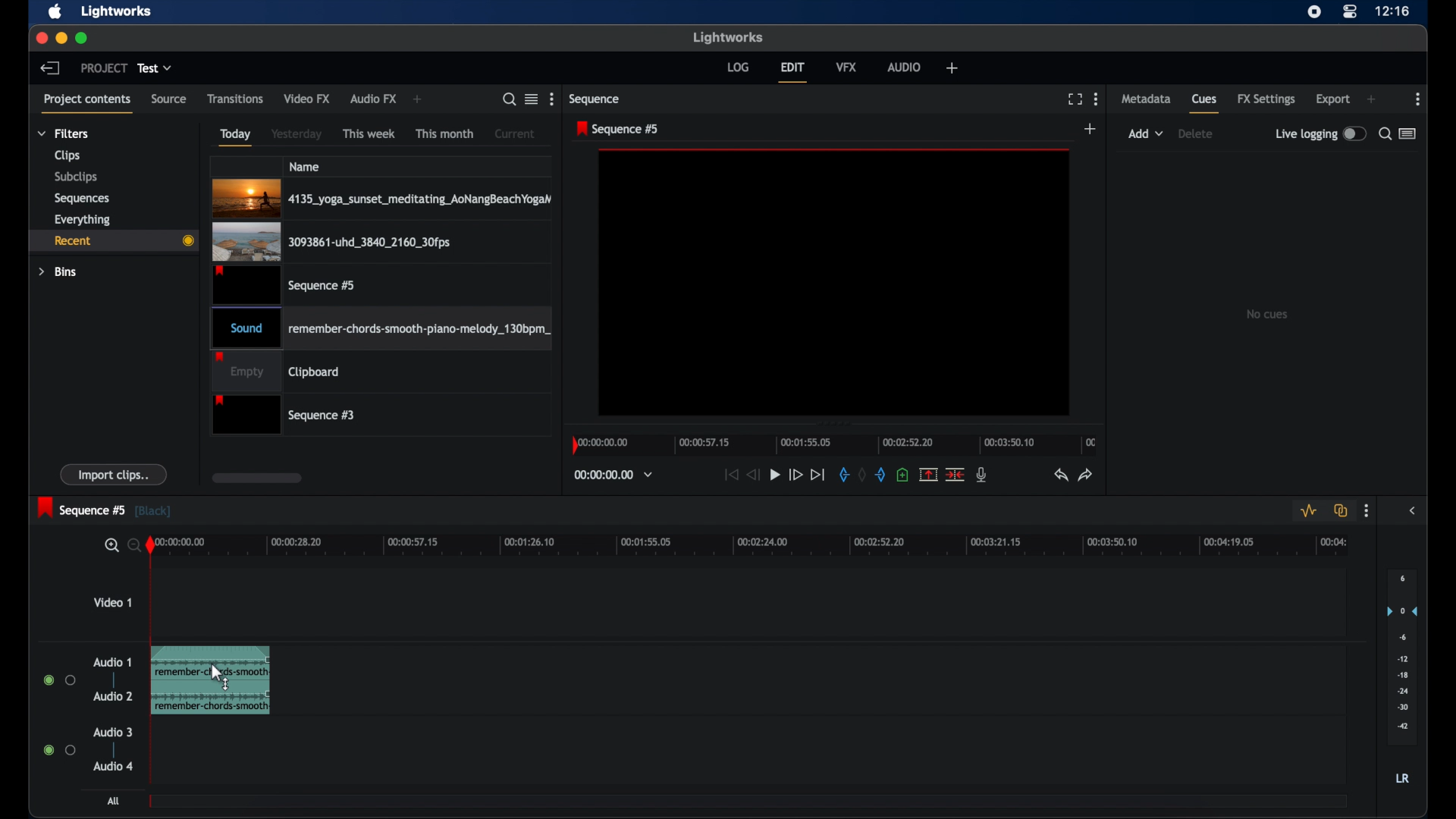  What do you see at coordinates (234, 136) in the screenshot?
I see `today` at bounding box center [234, 136].